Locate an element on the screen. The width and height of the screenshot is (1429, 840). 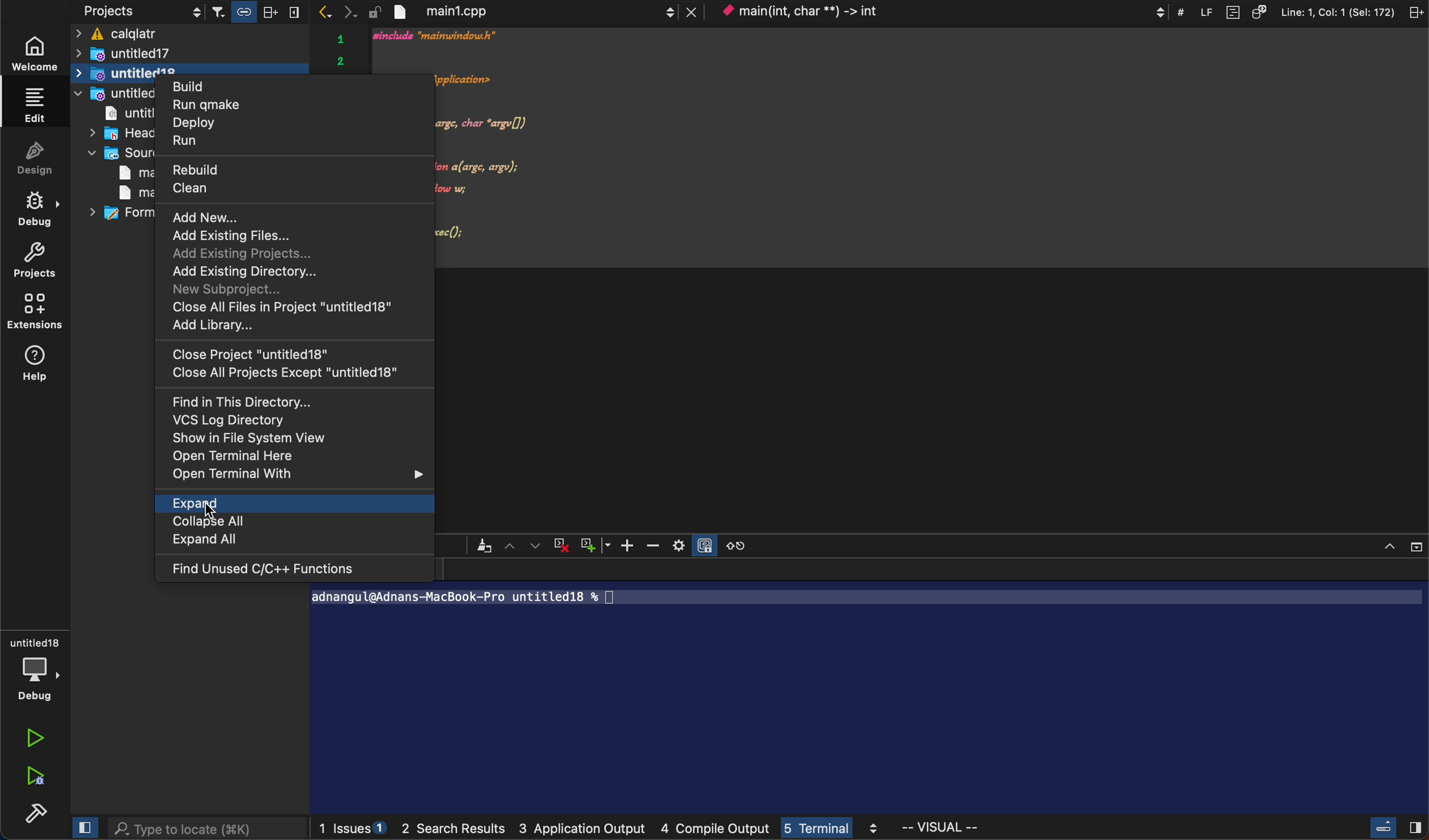
document is located at coordinates (1231, 11).